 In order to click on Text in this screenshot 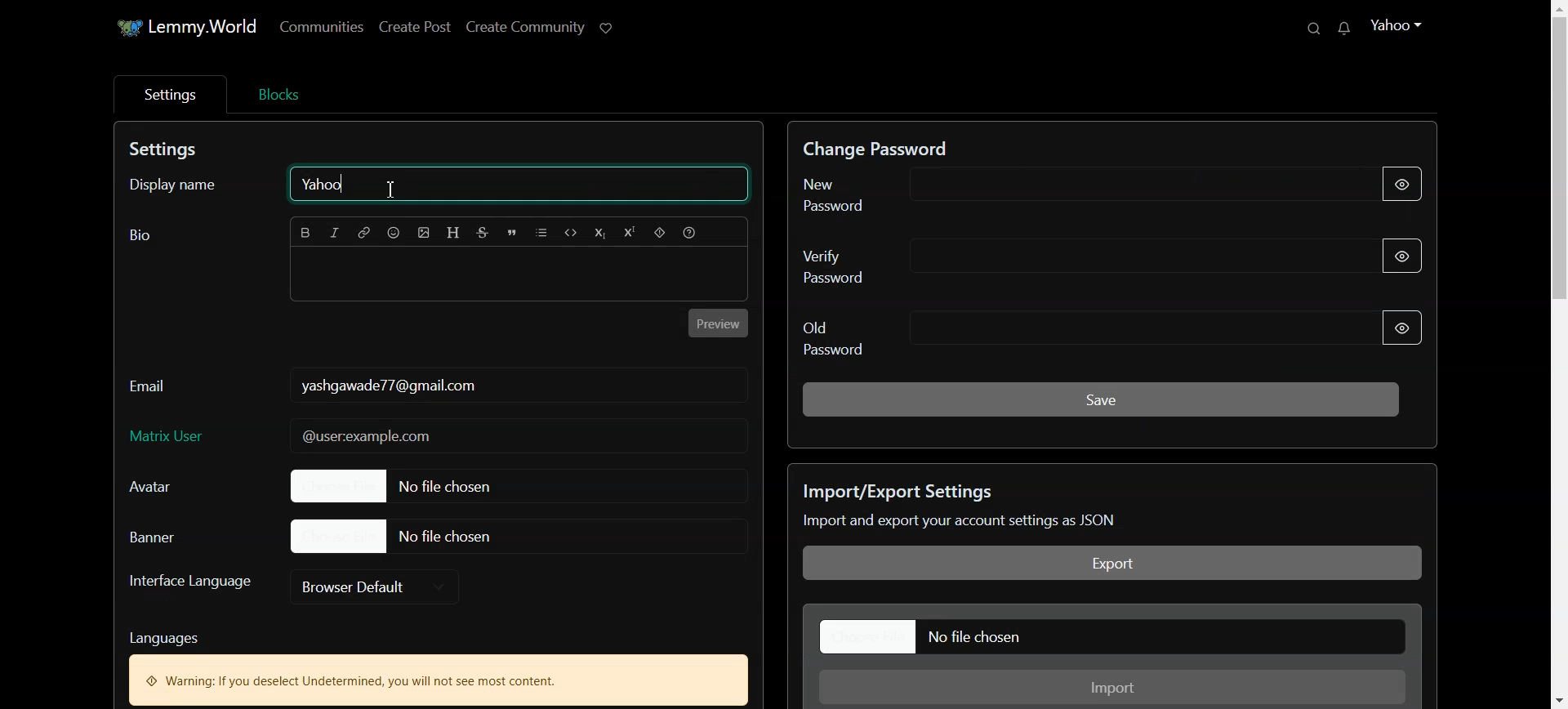, I will do `click(387, 385)`.